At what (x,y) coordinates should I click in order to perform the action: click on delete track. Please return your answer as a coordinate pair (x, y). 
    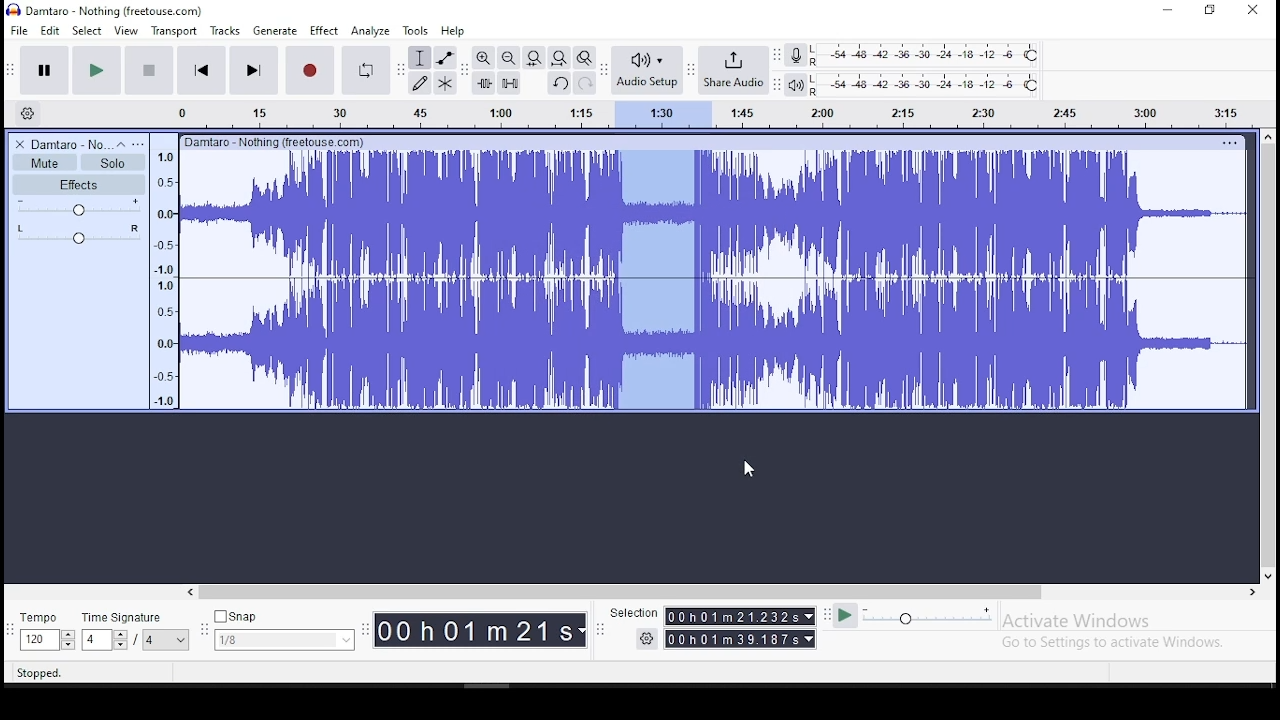
    Looking at the image, I should click on (21, 144).